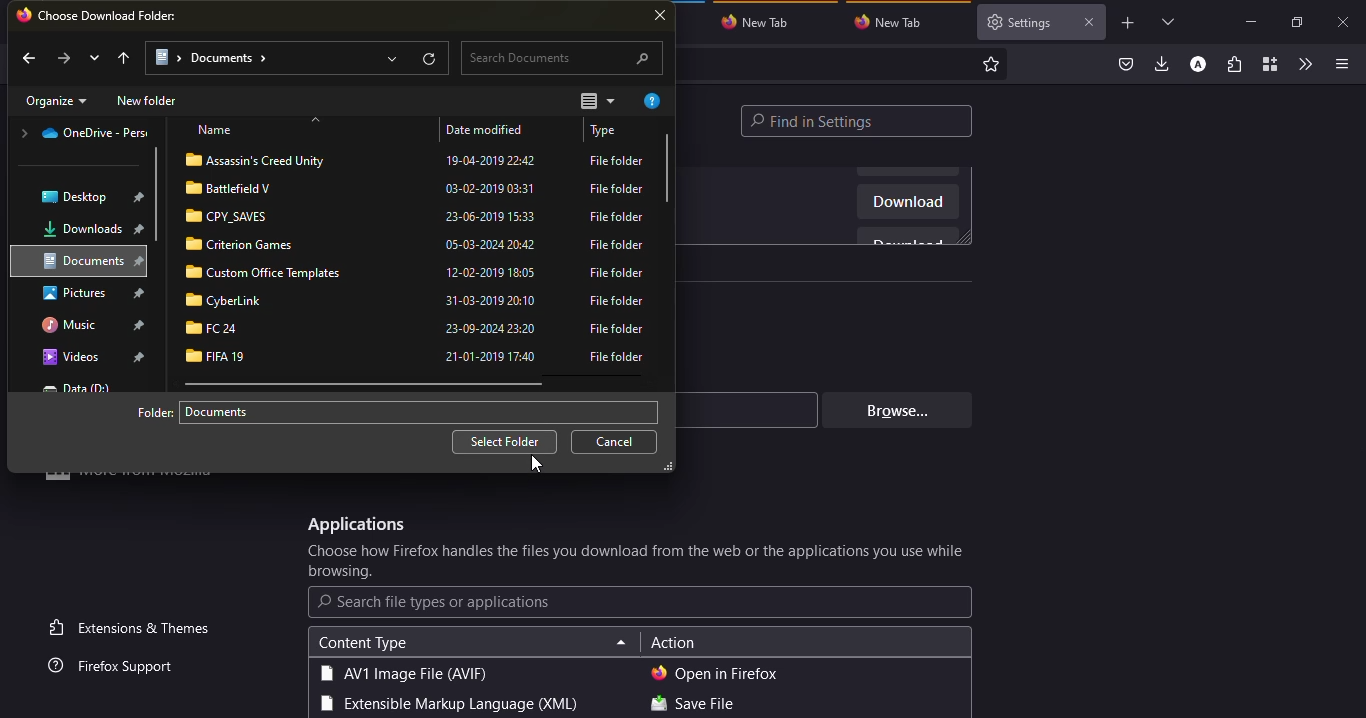 This screenshot has height=718, width=1366. Describe the element at coordinates (662, 17) in the screenshot. I see `close` at that location.